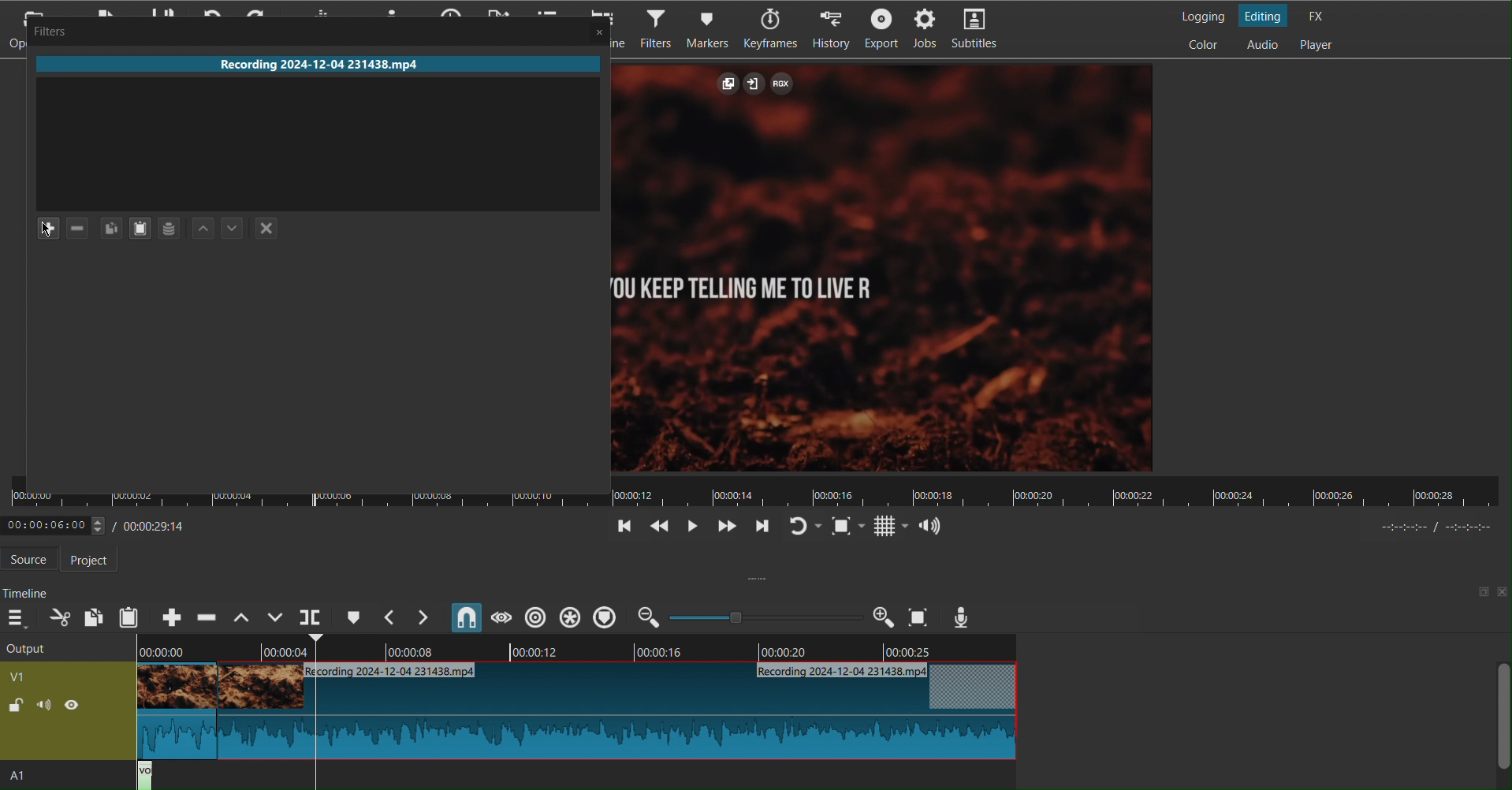 This screenshot has width=1512, height=790. What do you see at coordinates (500, 617) in the screenshot?
I see `Scrub` at bounding box center [500, 617].